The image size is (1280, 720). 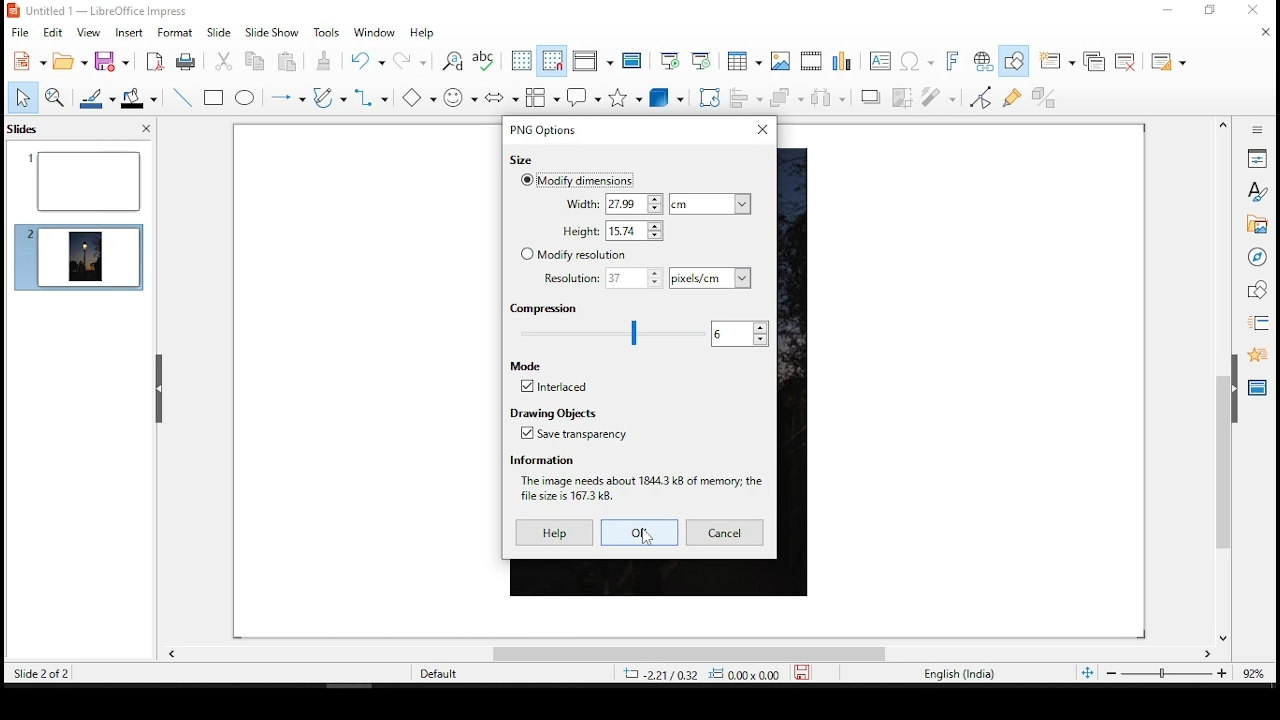 What do you see at coordinates (779, 59) in the screenshot?
I see `images` at bounding box center [779, 59].